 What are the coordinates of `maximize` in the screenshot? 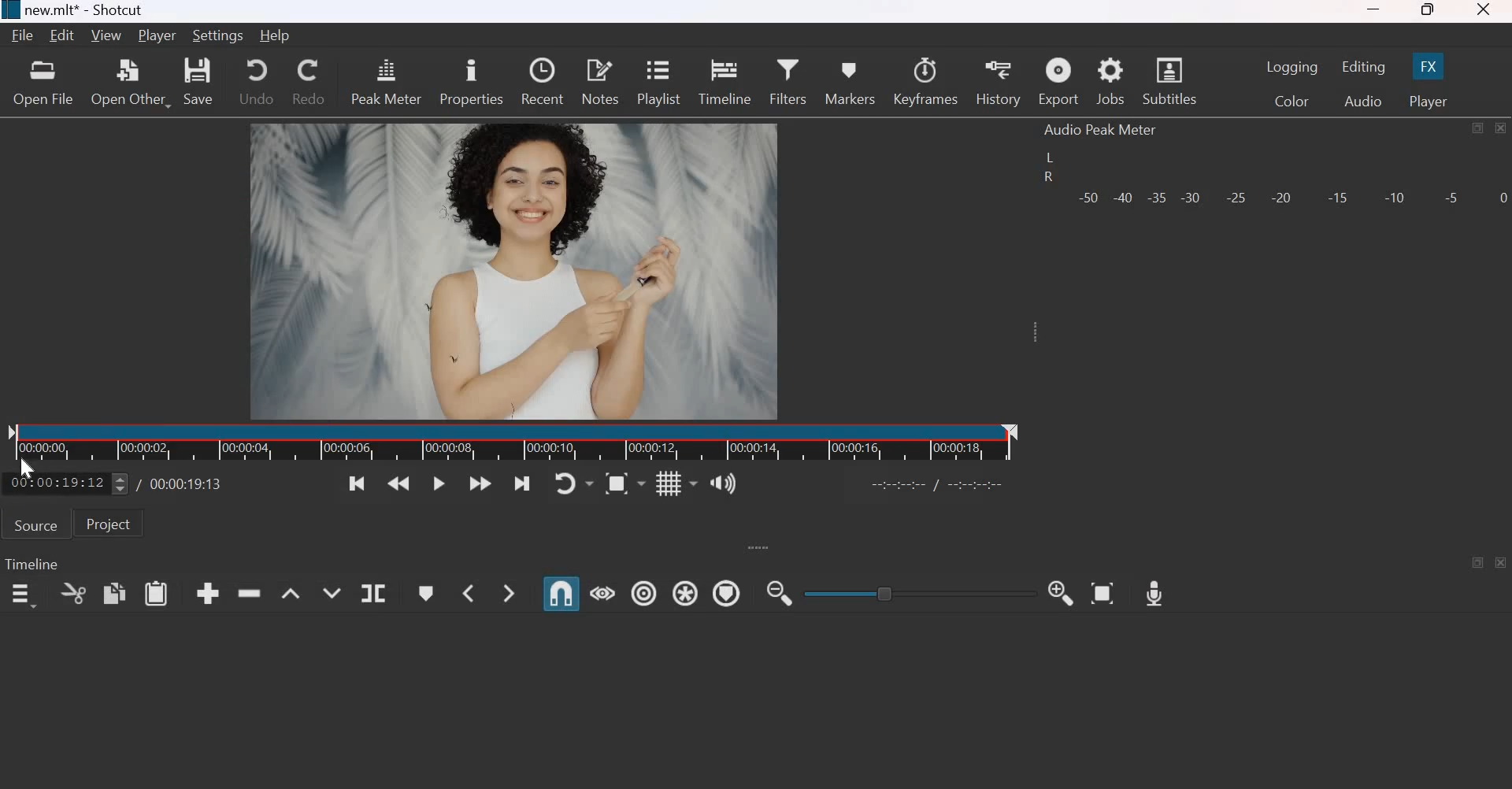 It's located at (1427, 12).